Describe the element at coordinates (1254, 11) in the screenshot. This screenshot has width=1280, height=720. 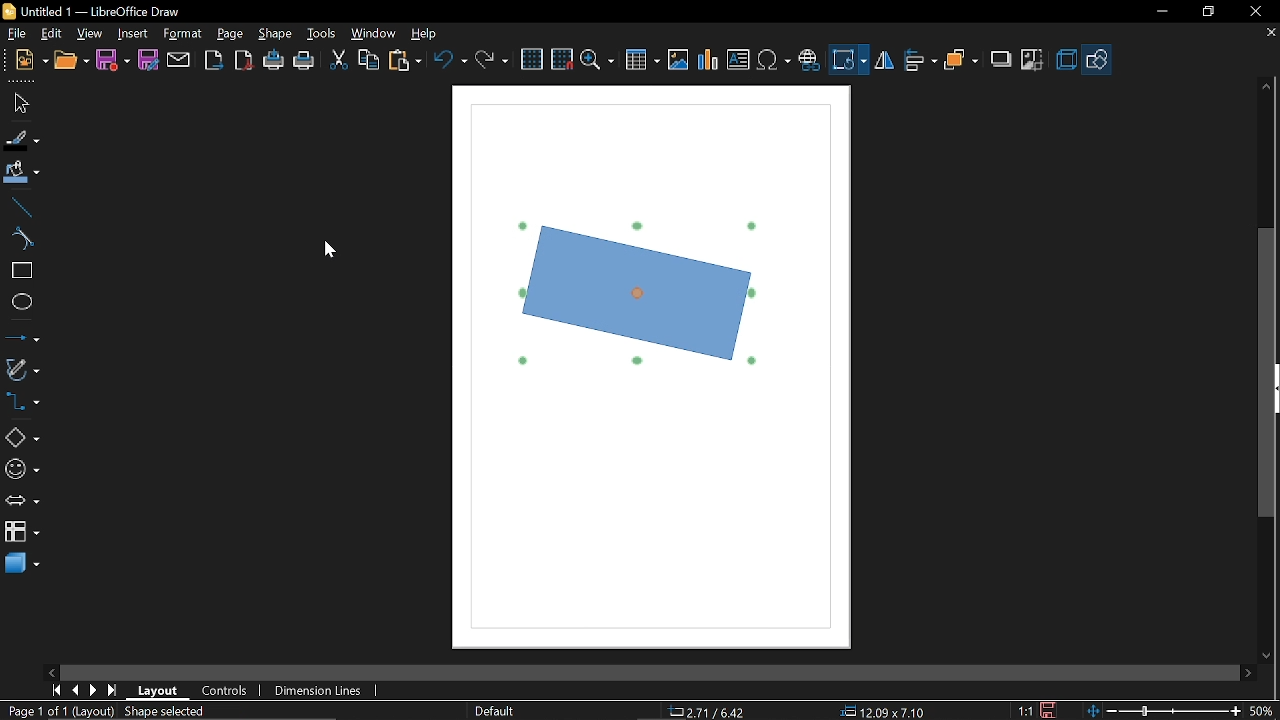
I see `close` at that location.